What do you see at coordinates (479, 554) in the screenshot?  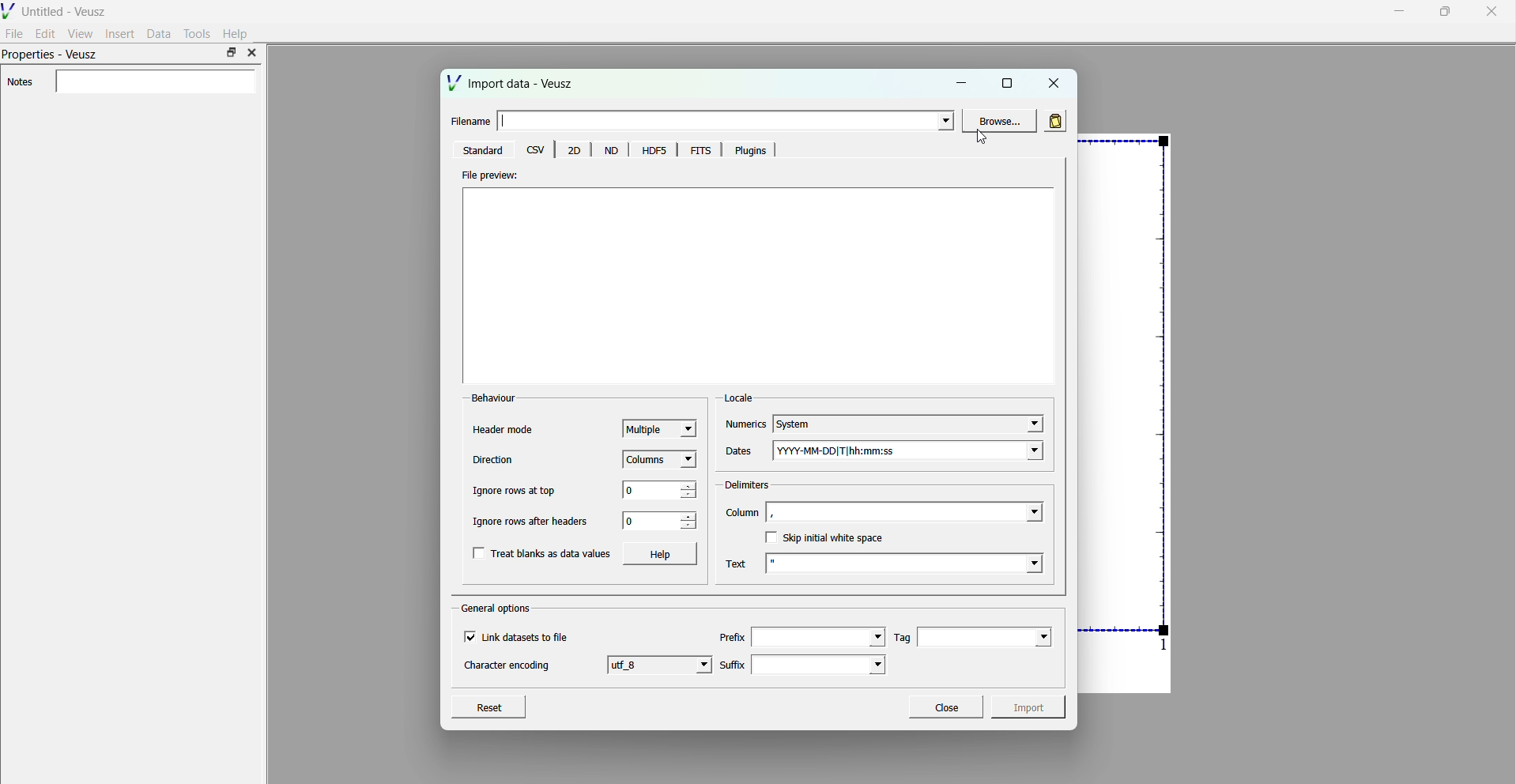 I see `checkbox` at bounding box center [479, 554].